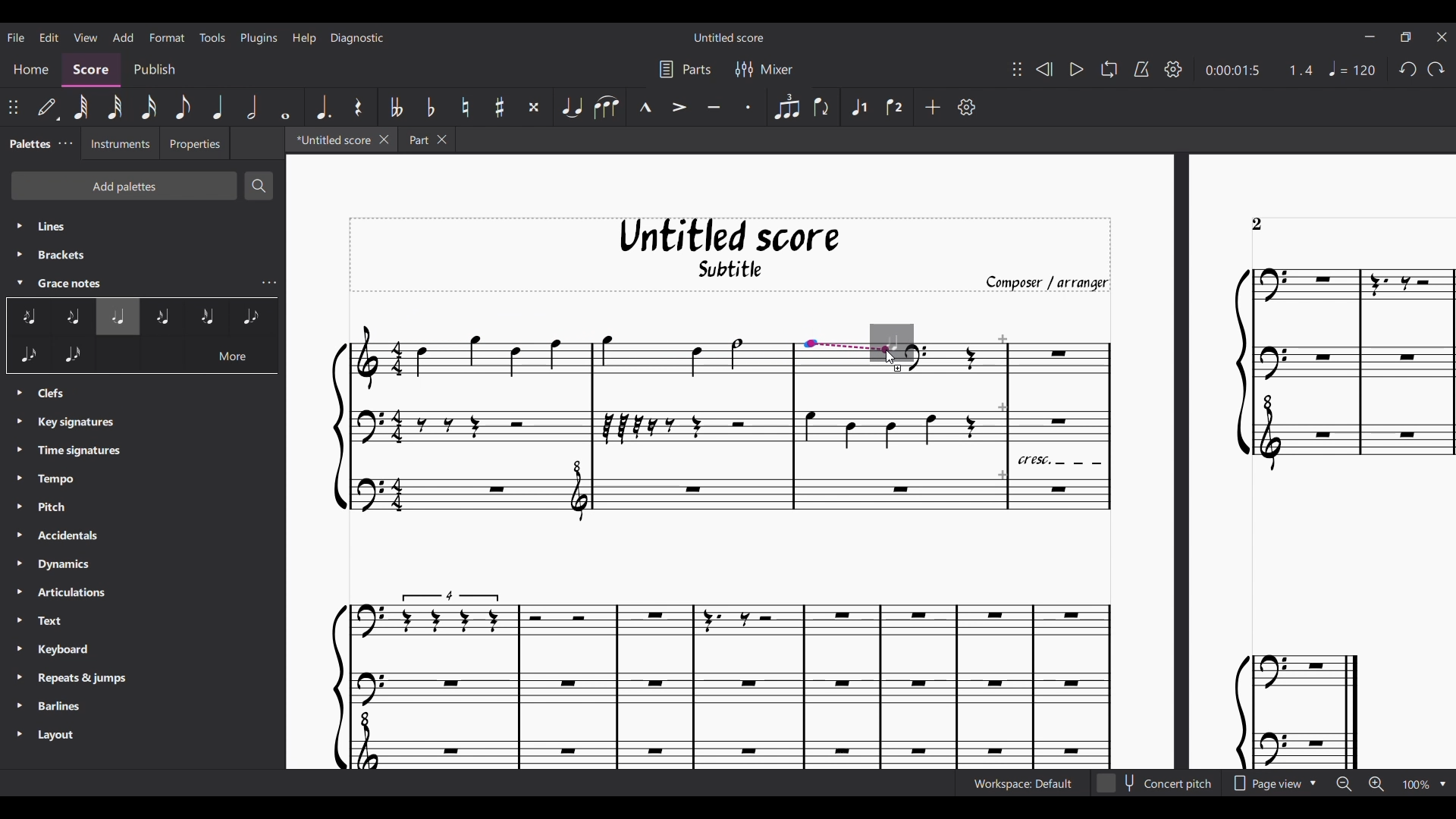 The height and width of the screenshot is (819, 1456). Describe the element at coordinates (383, 140) in the screenshot. I see `Close current tab` at that location.